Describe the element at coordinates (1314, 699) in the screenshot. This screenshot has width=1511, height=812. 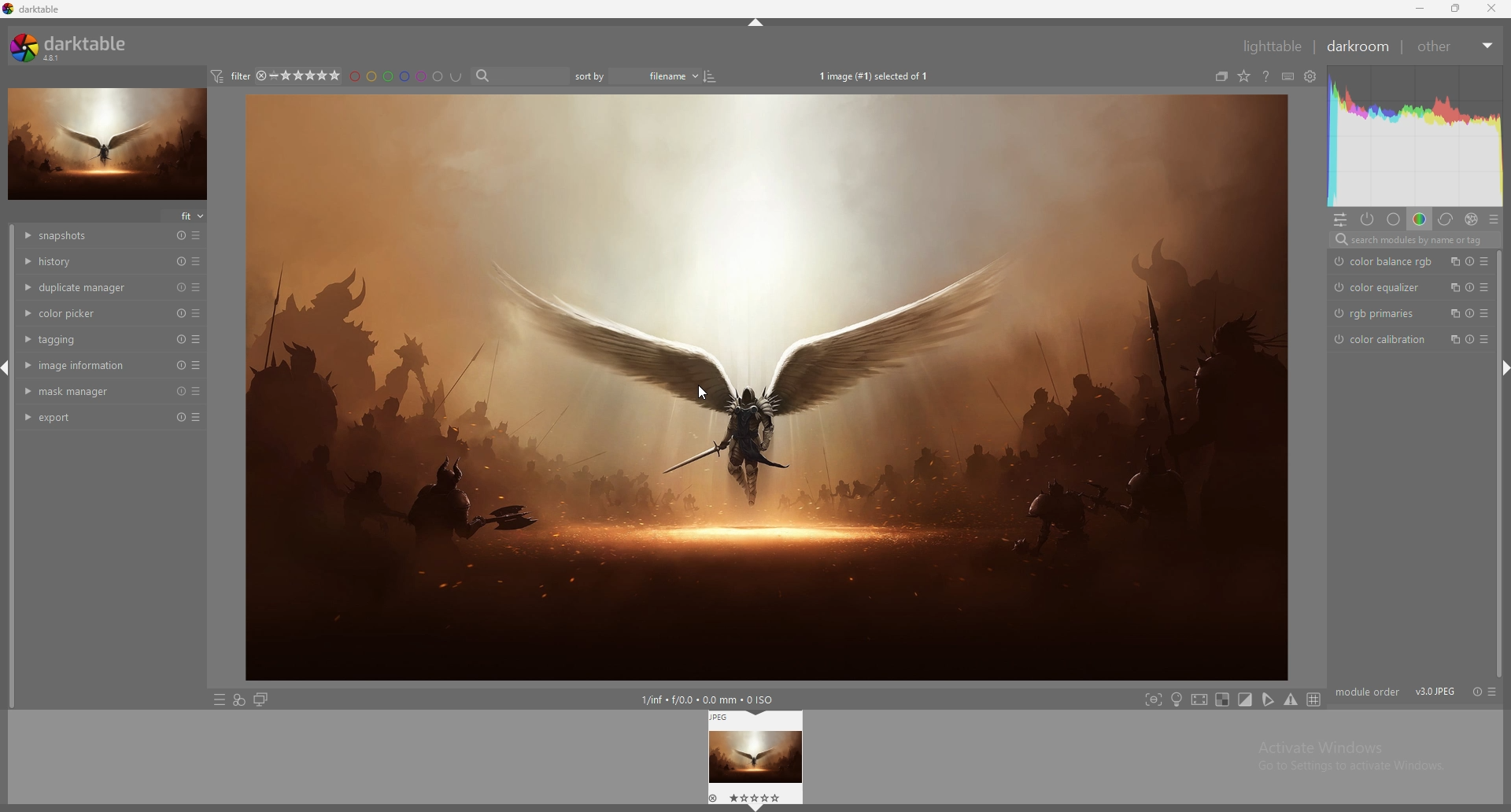
I see `toggle grid lines` at that location.